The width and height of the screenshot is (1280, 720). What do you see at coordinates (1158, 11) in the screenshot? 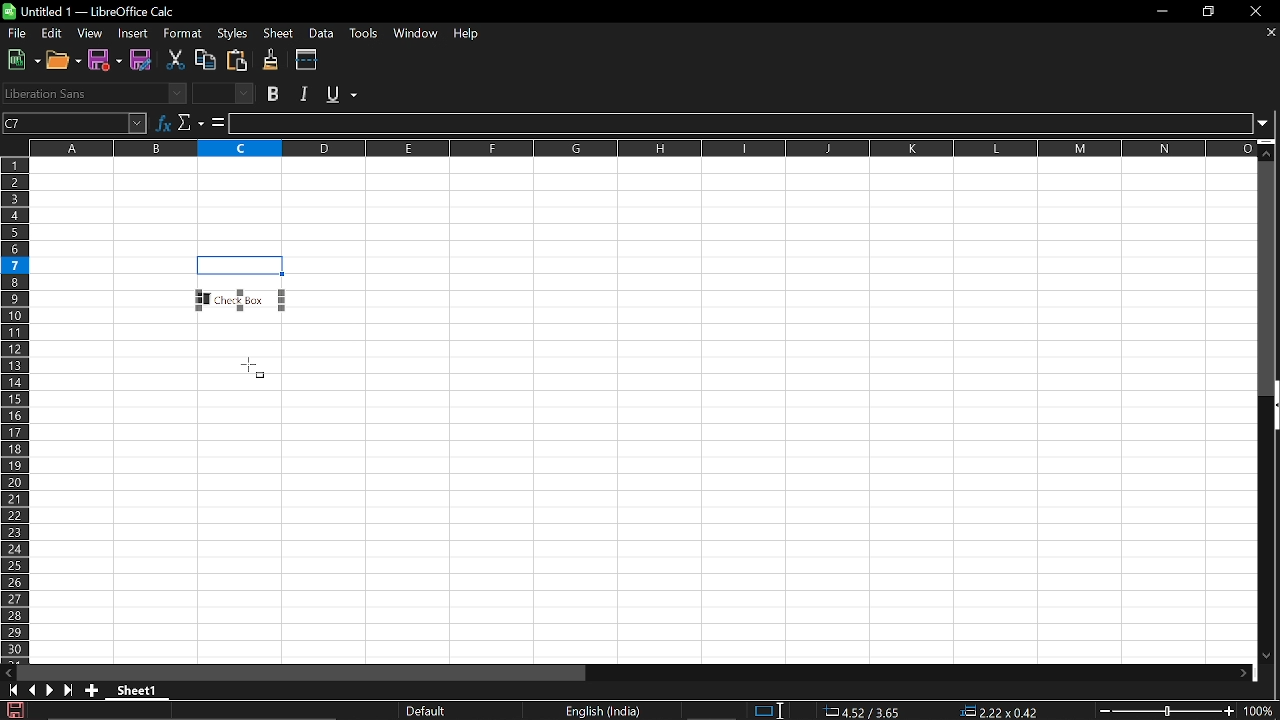
I see `Minimize` at bounding box center [1158, 11].